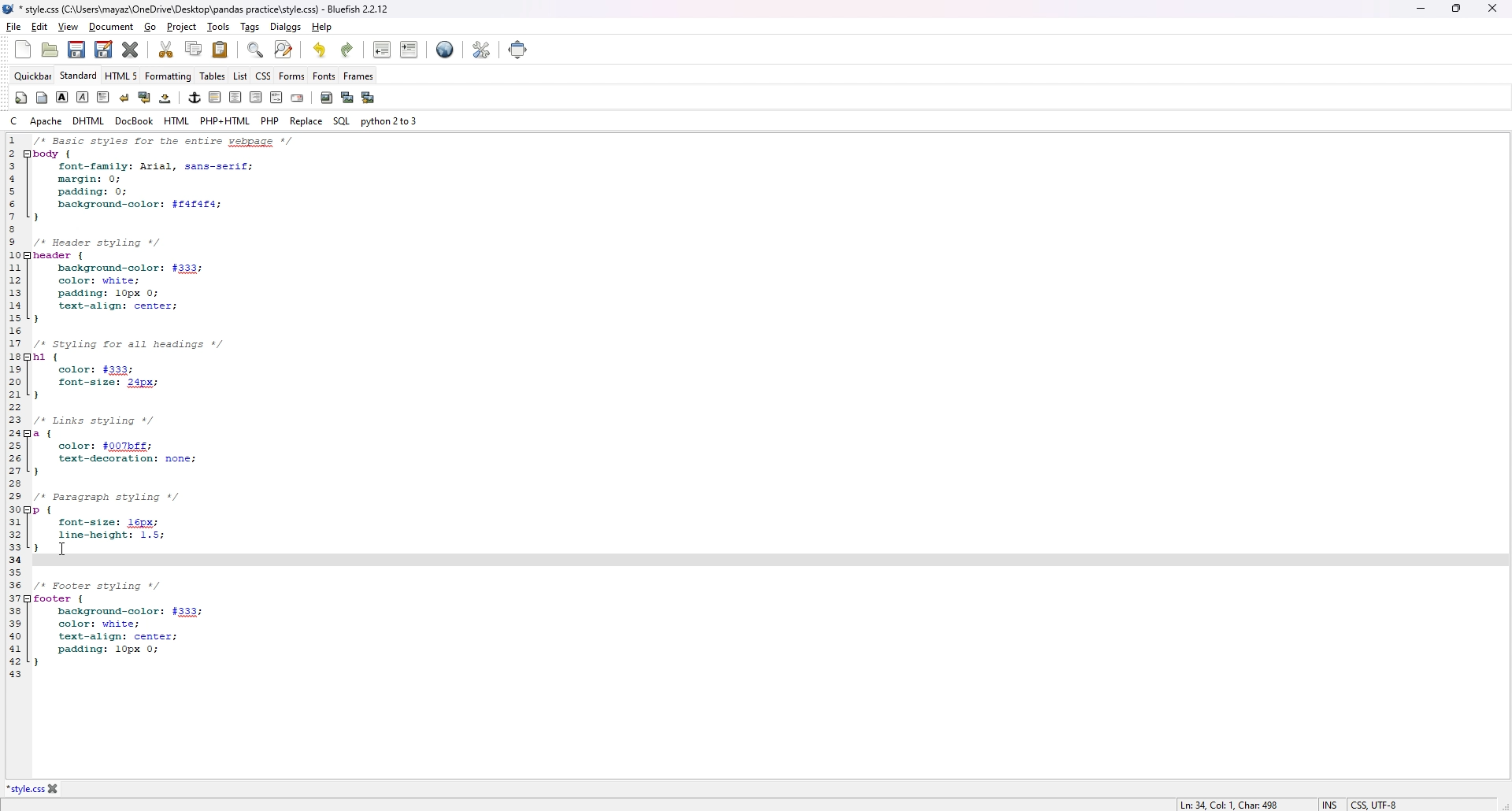 The width and height of the screenshot is (1512, 811). What do you see at coordinates (390, 120) in the screenshot?
I see `python 2 to 3` at bounding box center [390, 120].